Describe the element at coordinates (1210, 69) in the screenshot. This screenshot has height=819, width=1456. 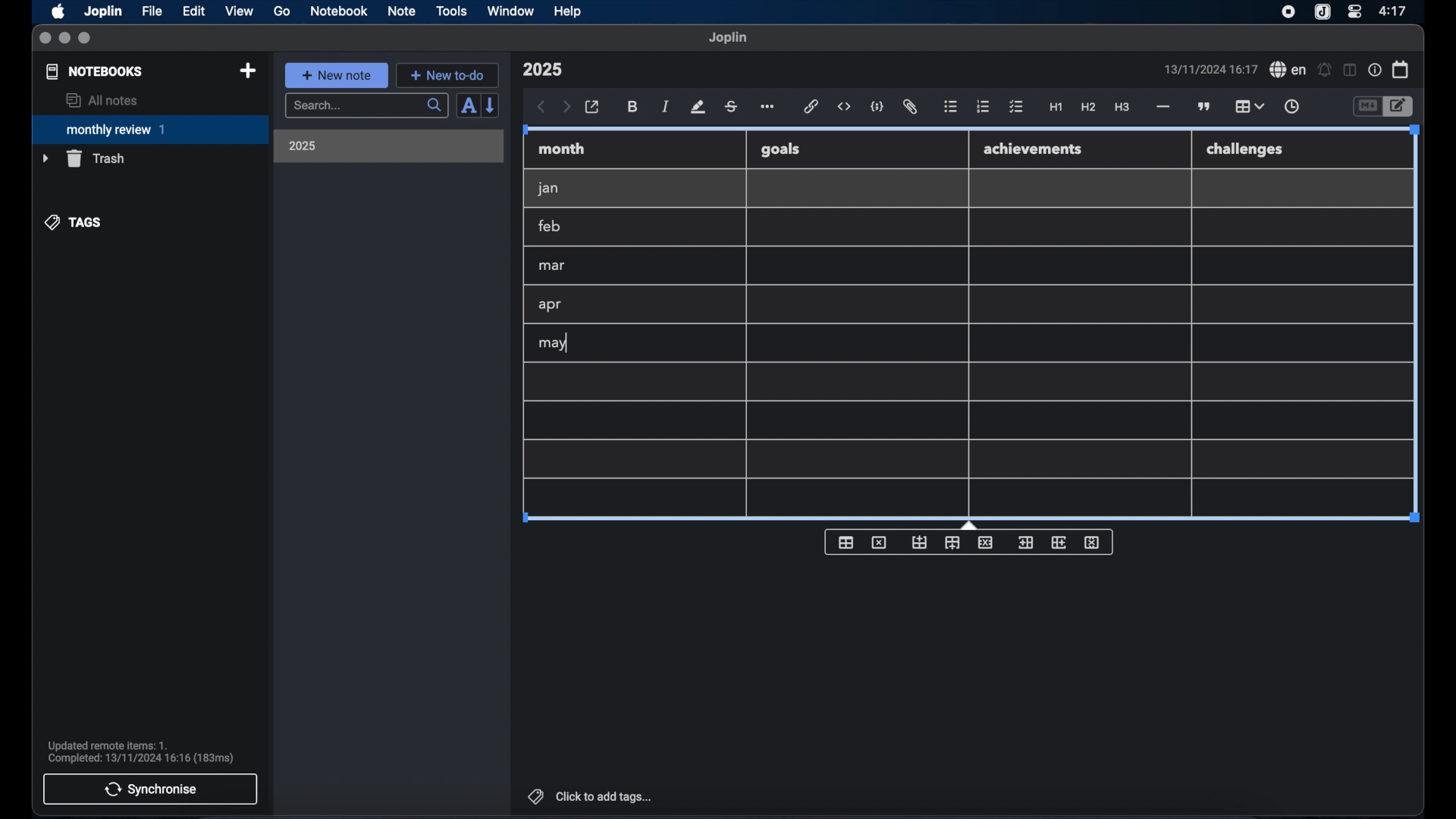
I see `date` at that location.